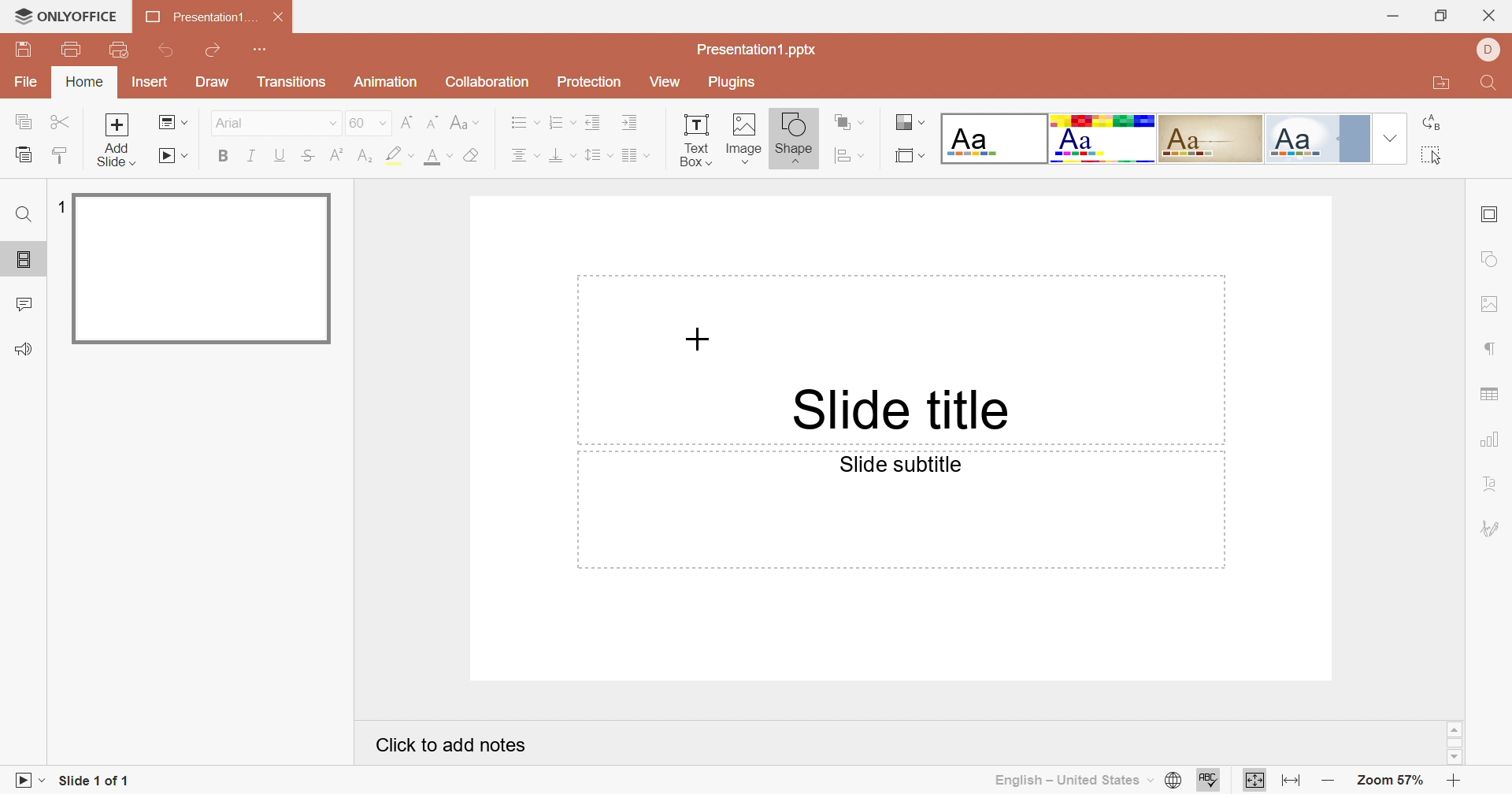 The width and height of the screenshot is (1512, 794). Describe the element at coordinates (742, 139) in the screenshot. I see `Image` at that location.